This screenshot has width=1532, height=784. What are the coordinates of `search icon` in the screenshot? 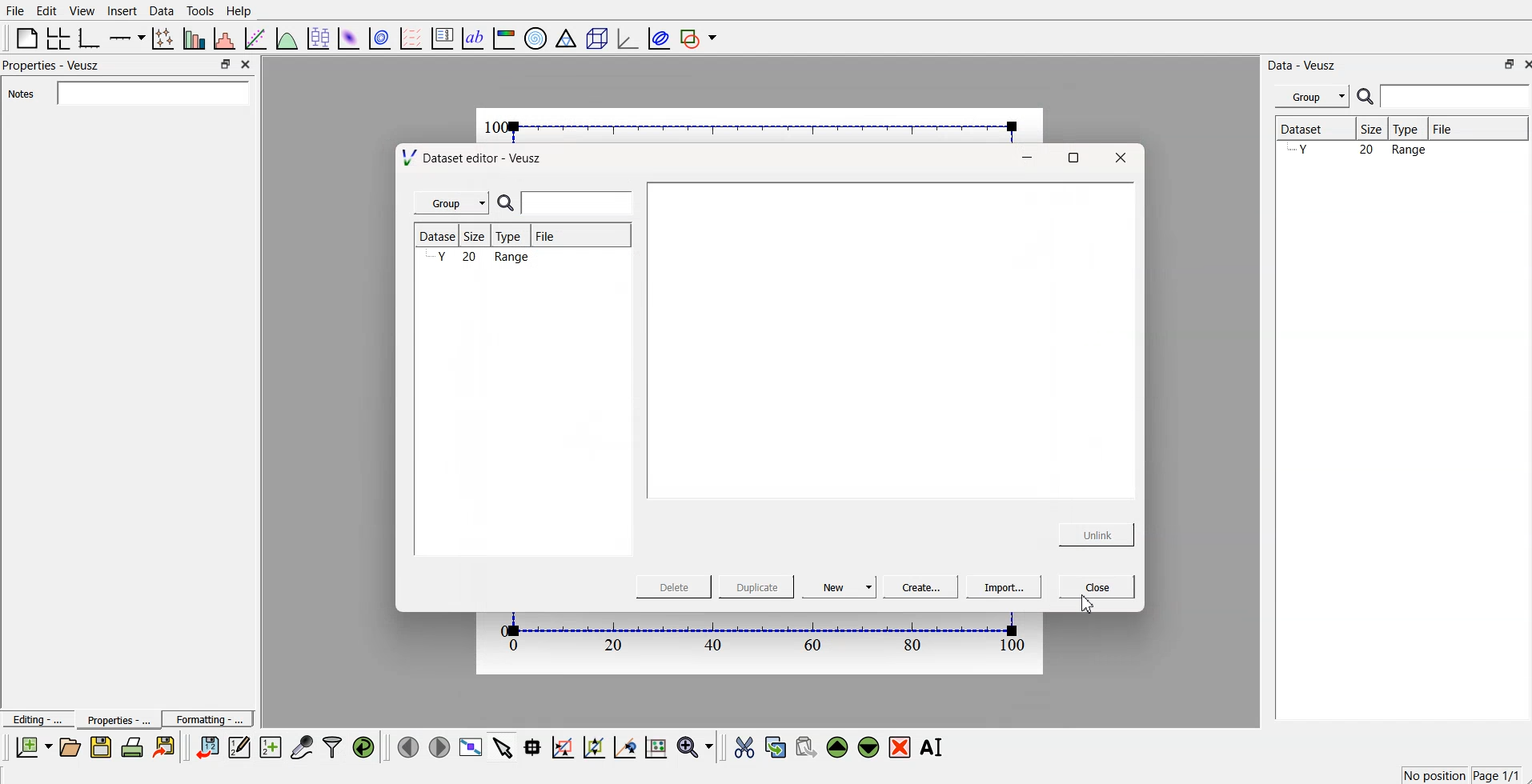 It's located at (507, 202).